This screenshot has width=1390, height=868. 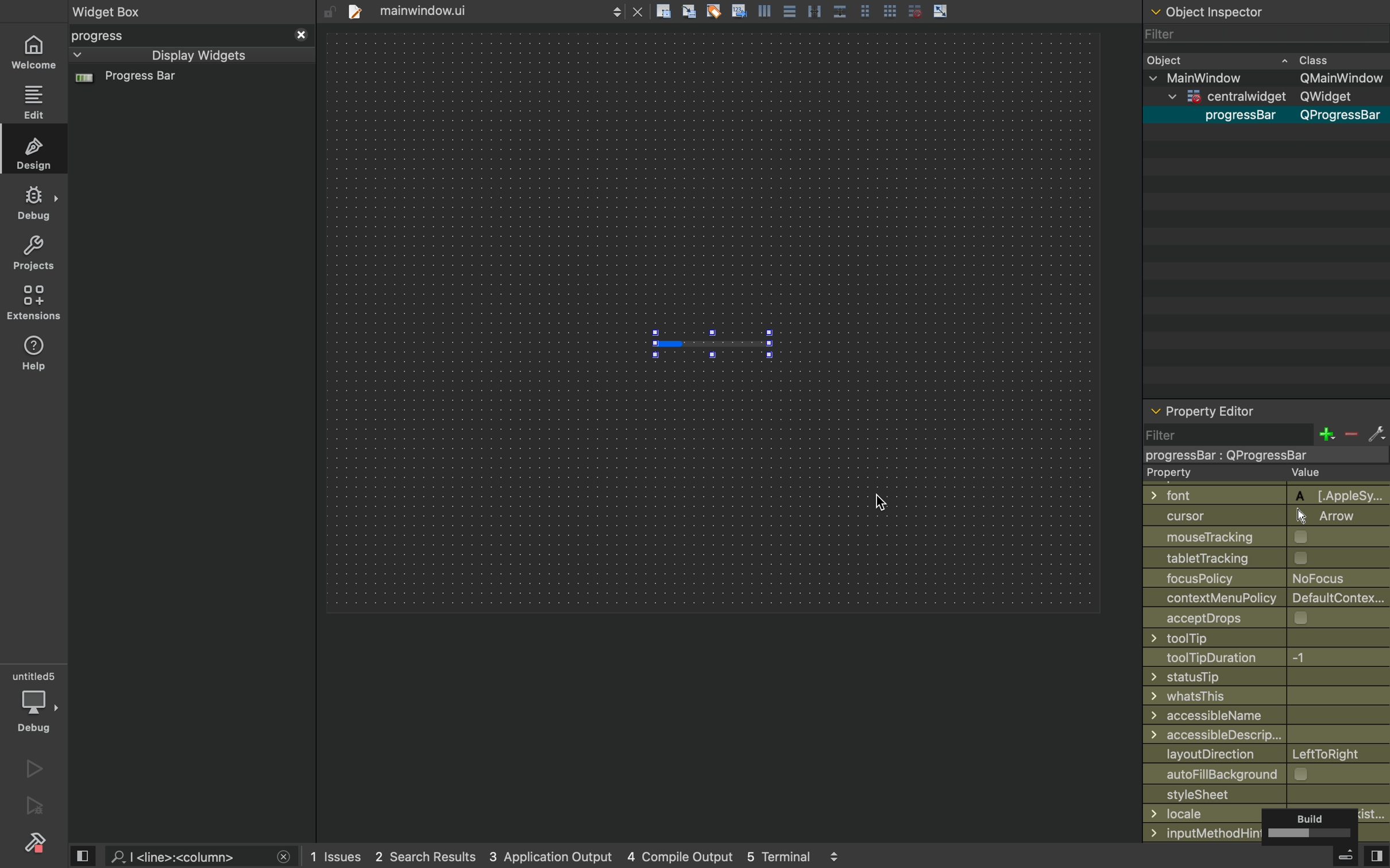 I want to click on property, so click(x=1256, y=474).